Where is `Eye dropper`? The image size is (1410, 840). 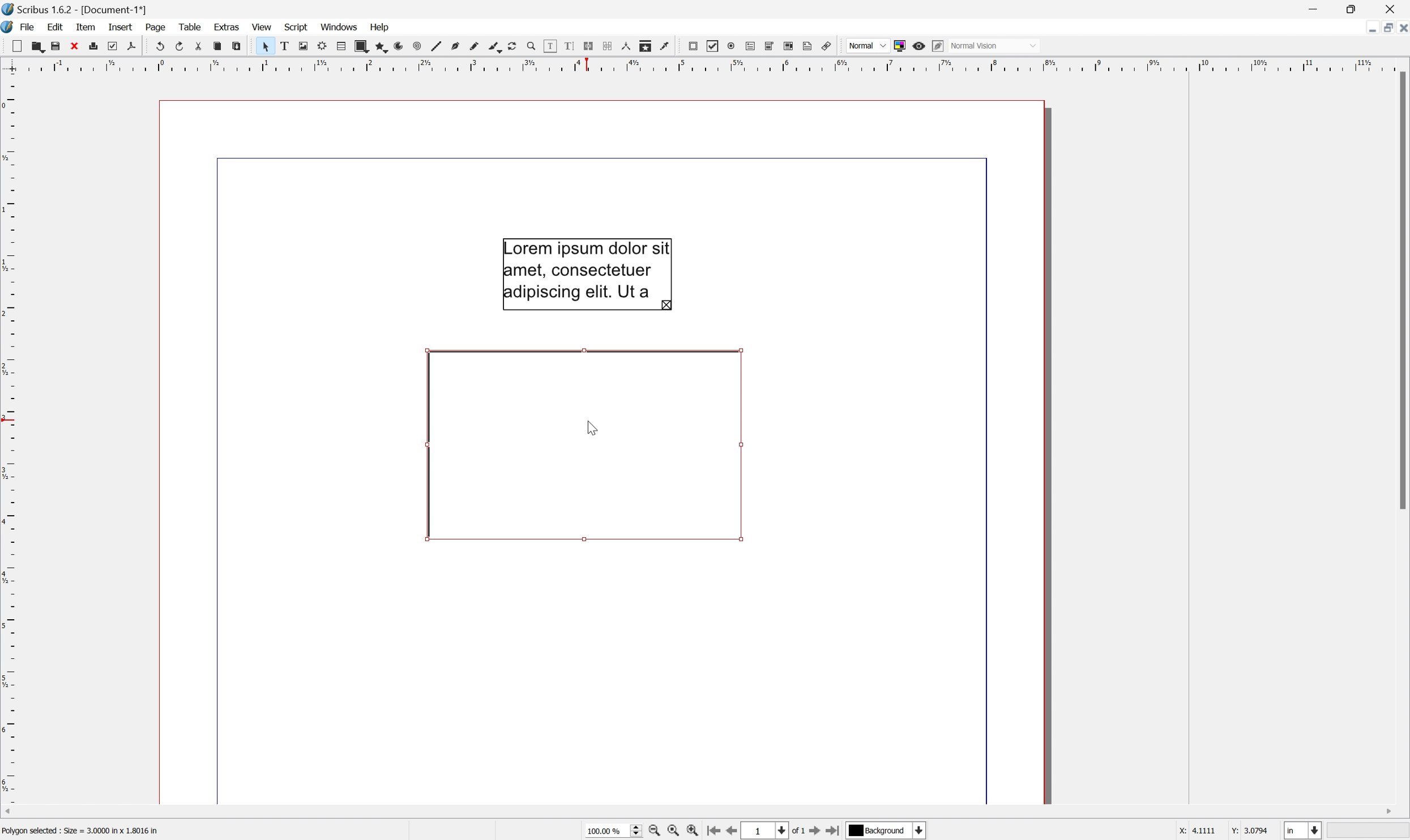 Eye dropper is located at coordinates (666, 46).